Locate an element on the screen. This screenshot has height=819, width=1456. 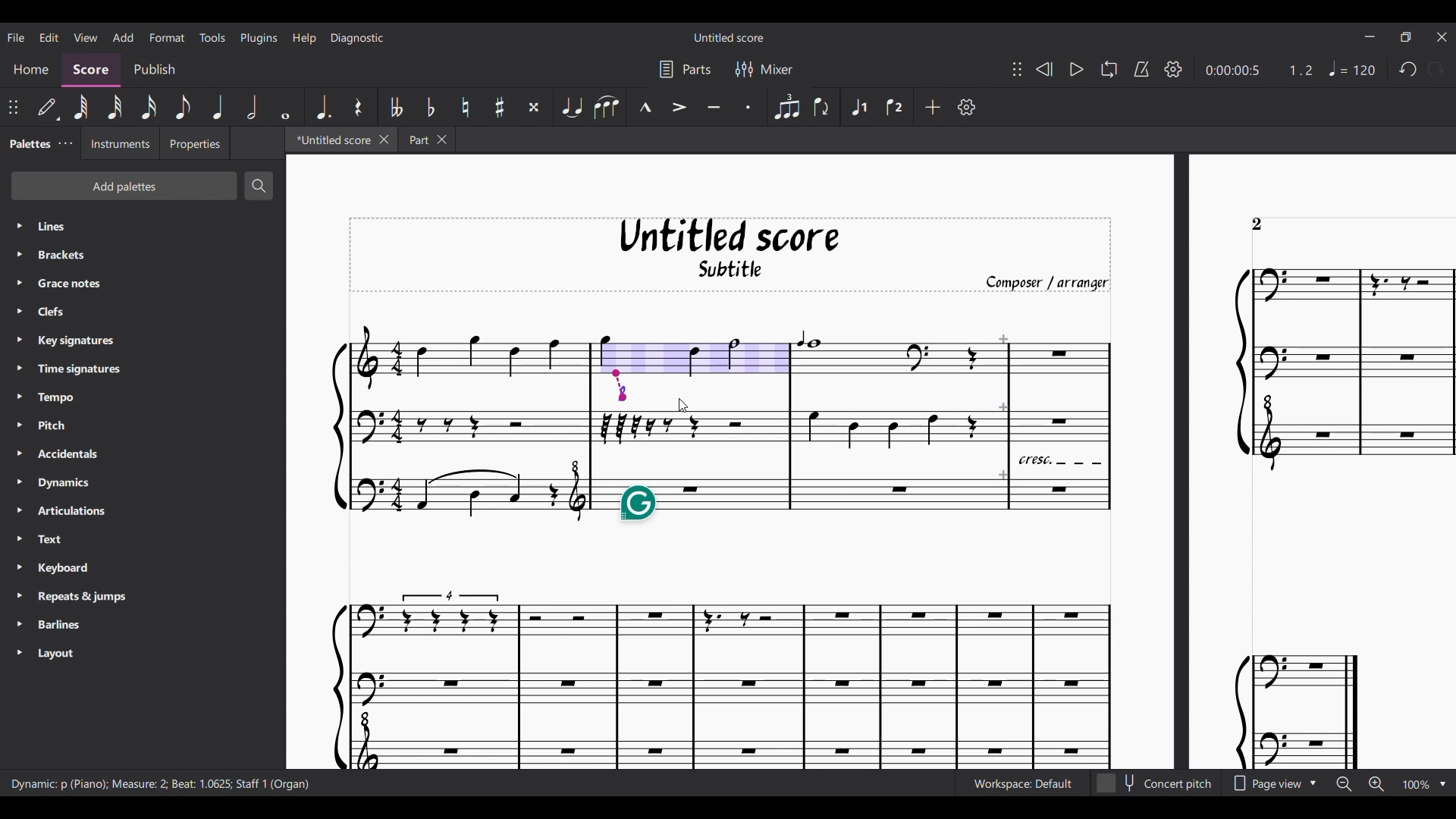
Tie is located at coordinates (571, 107).